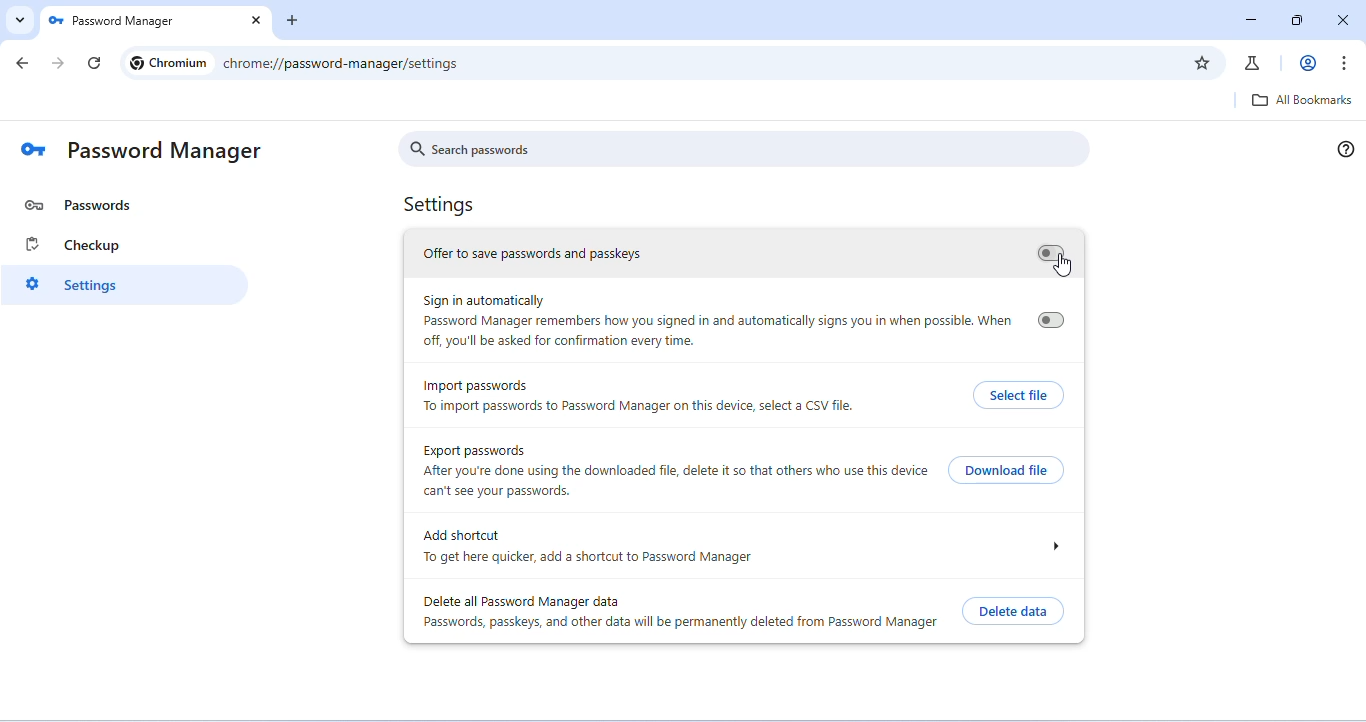 This screenshot has height=722, width=1366. I want to click on go forward, so click(60, 63).